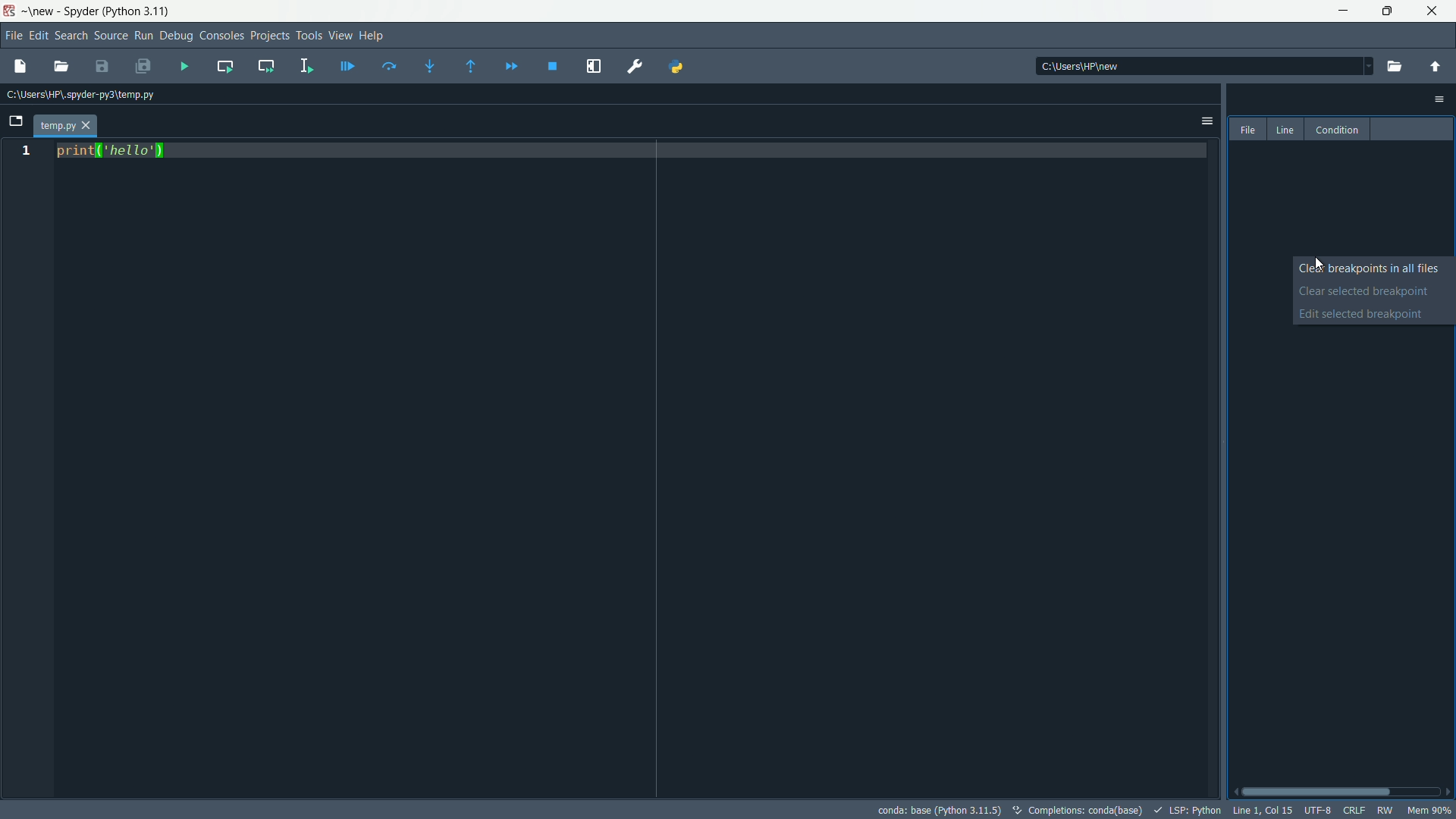 This screenshot has height=819, width=1456. Describe the element at coordinates (143, 36) in the screenshot. I see `run menu` at that location.